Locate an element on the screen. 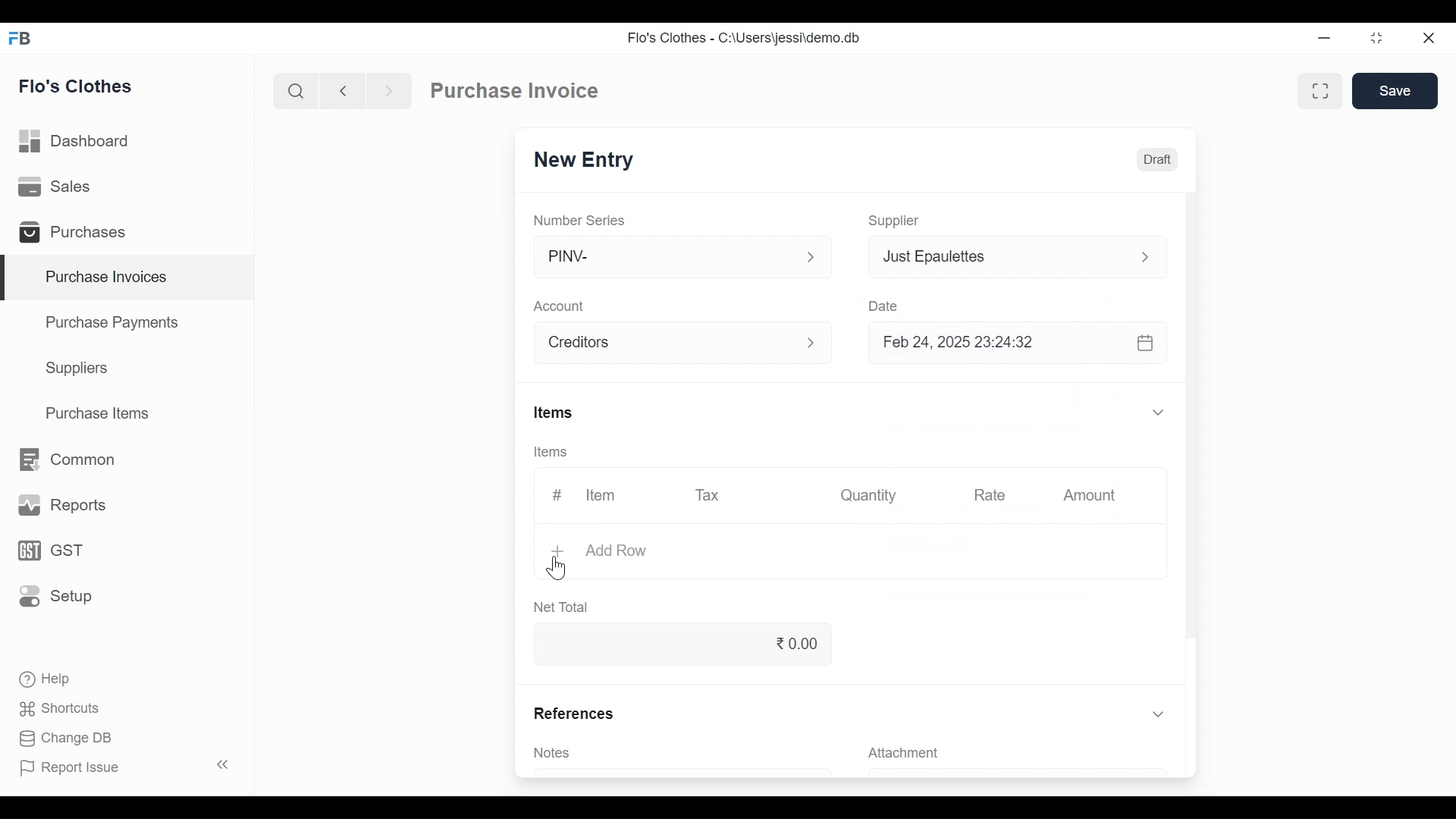  Expand is located at coordinates (1160, 412).